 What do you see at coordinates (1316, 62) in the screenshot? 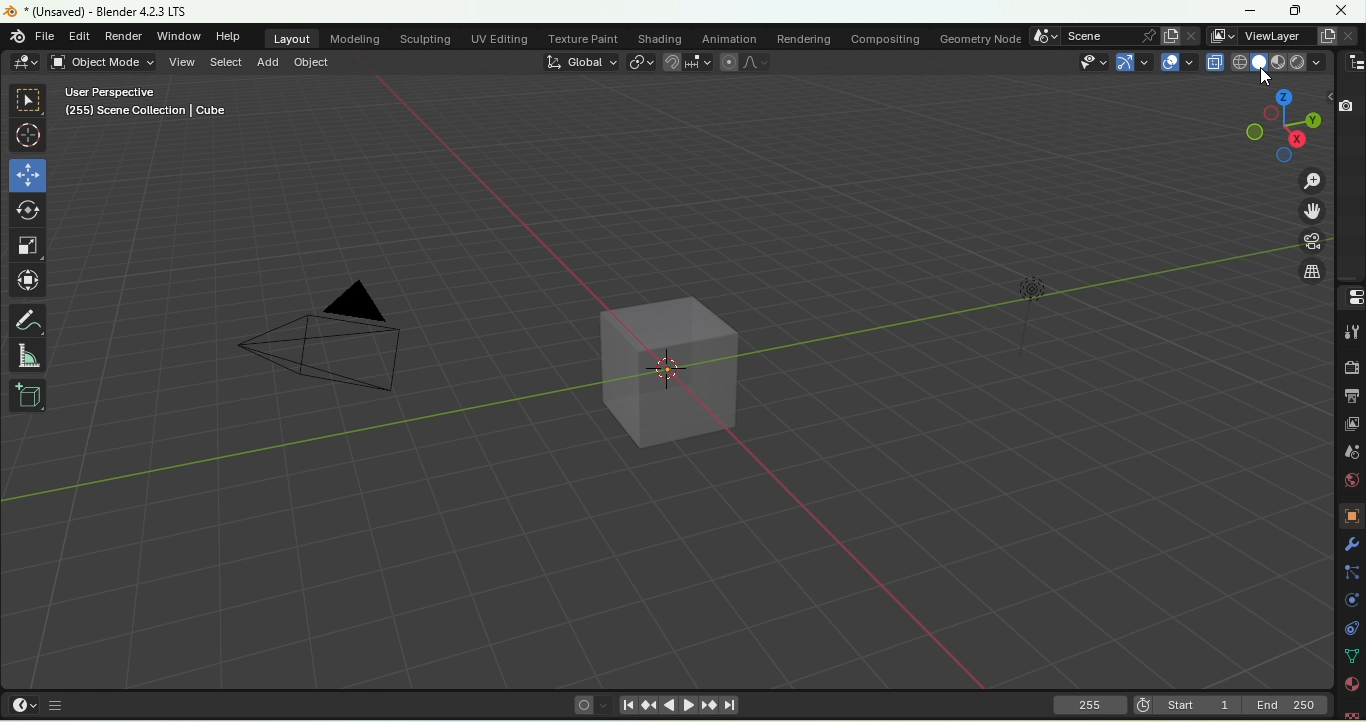
I see `Shading` at bounding box center [1316, 62].